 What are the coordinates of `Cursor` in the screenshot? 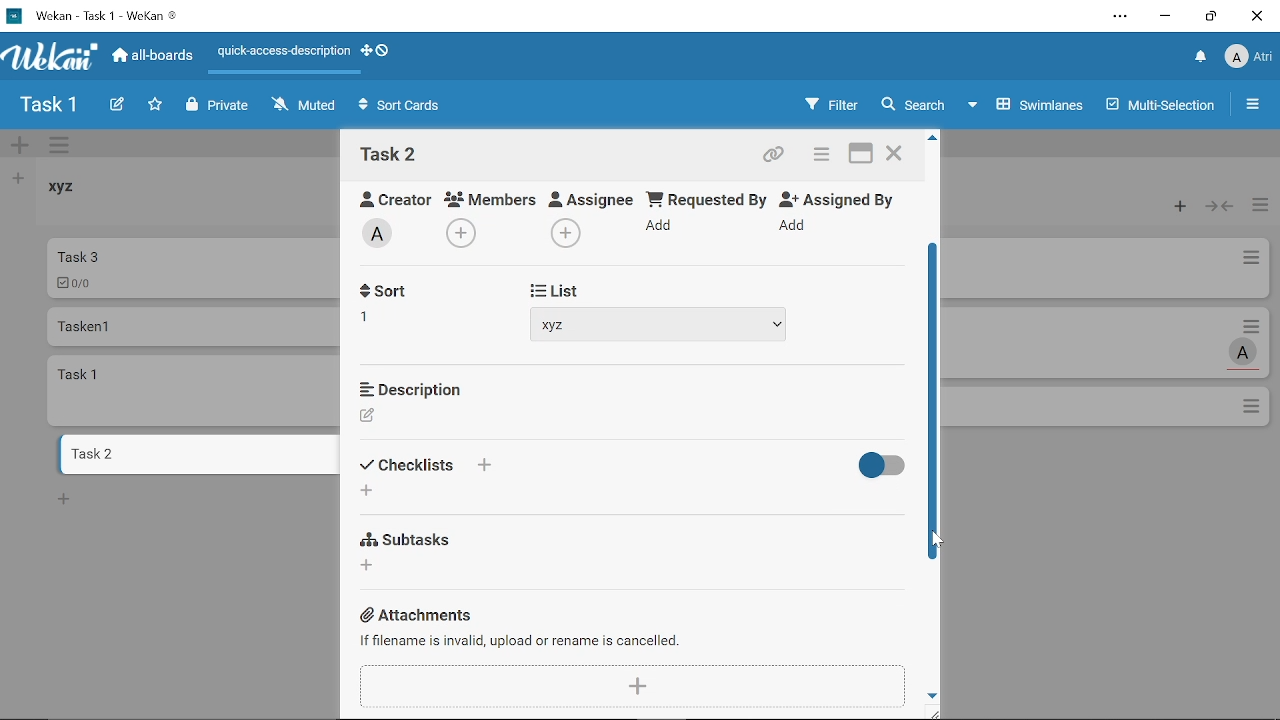 It's located at (931, 541).